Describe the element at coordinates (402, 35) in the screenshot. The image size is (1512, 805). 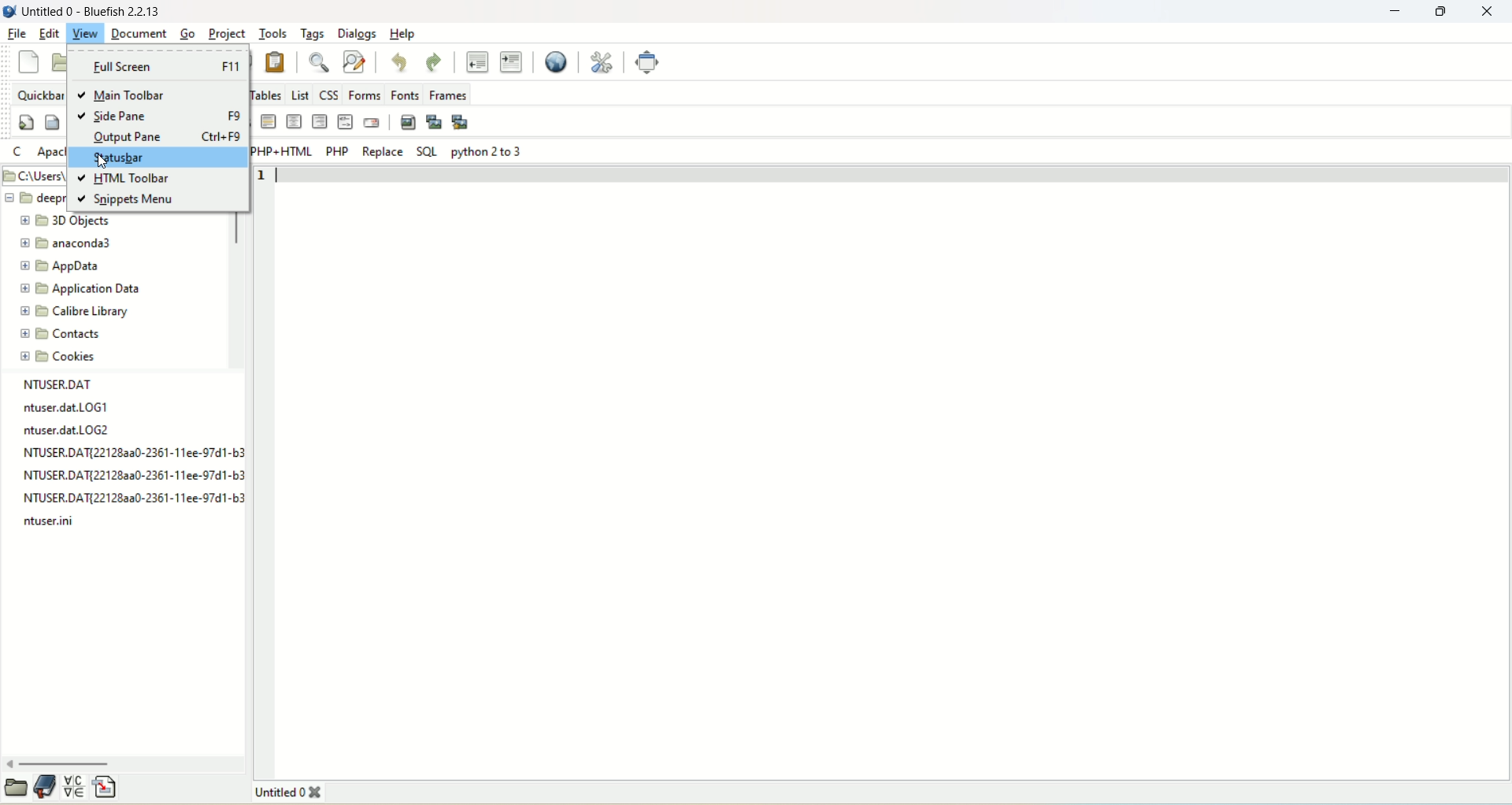
I see `help` at that location.